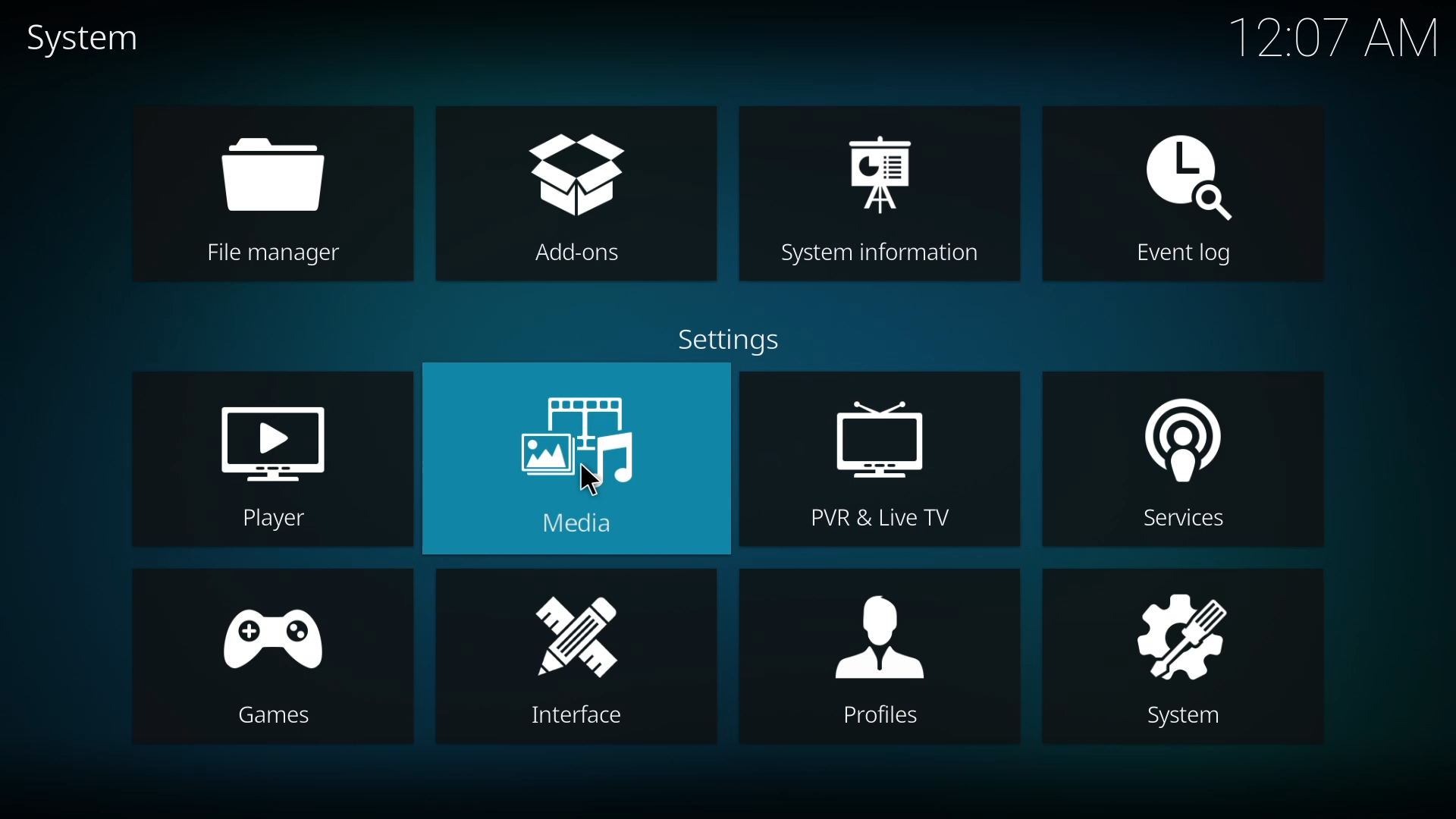  What do you see at coordinates (280, 657) in the screenshot?
I see `games` at bounding box center [280, 657].